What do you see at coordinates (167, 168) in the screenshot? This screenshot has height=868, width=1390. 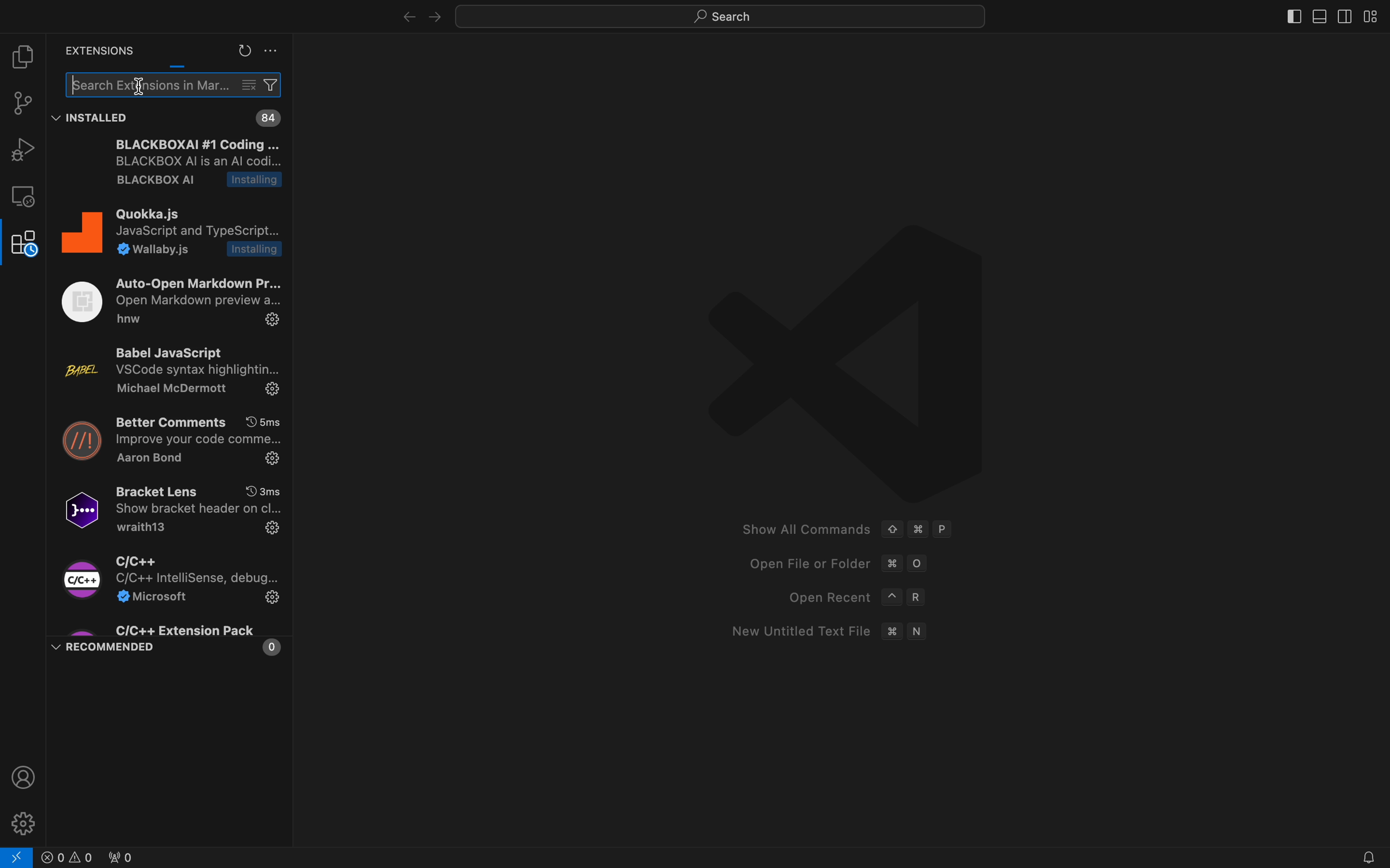 I see `BLACKBOXAI #1 Coding ...
BLACKBOX Al is an Al cod...
BLACKBOX Al` at bounding box center [167, 168].